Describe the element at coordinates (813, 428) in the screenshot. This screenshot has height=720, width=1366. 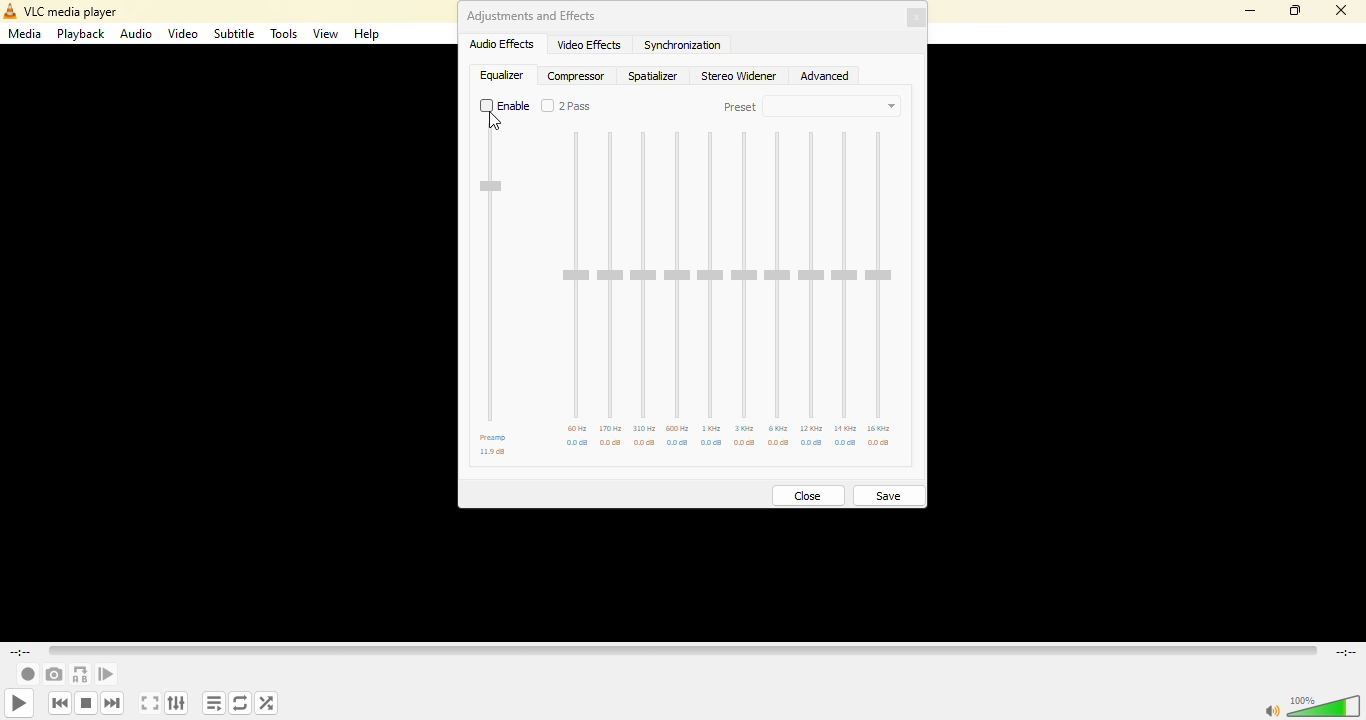
I see `12 khz` at that location.